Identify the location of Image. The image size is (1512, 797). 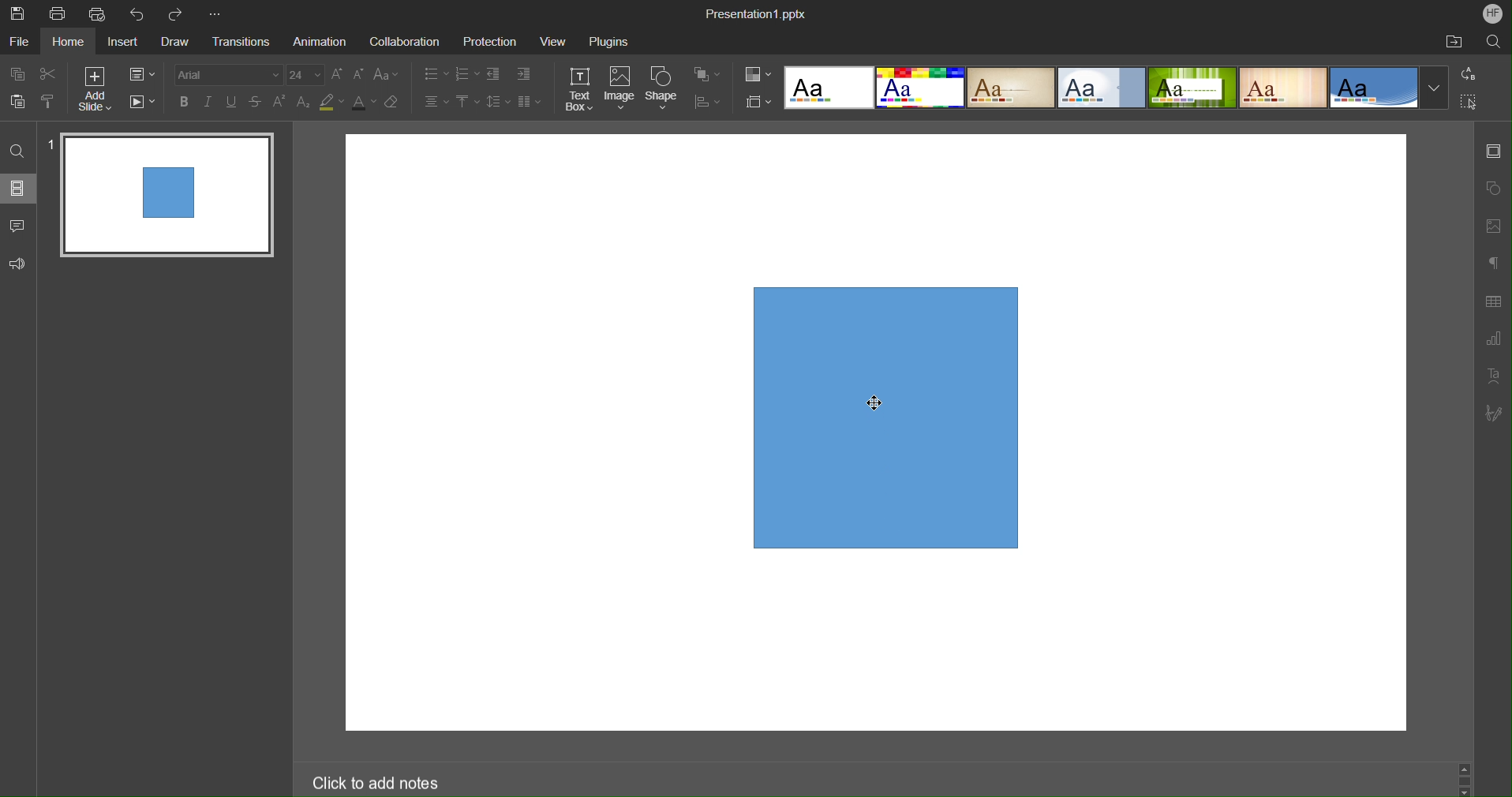
(622, 89).